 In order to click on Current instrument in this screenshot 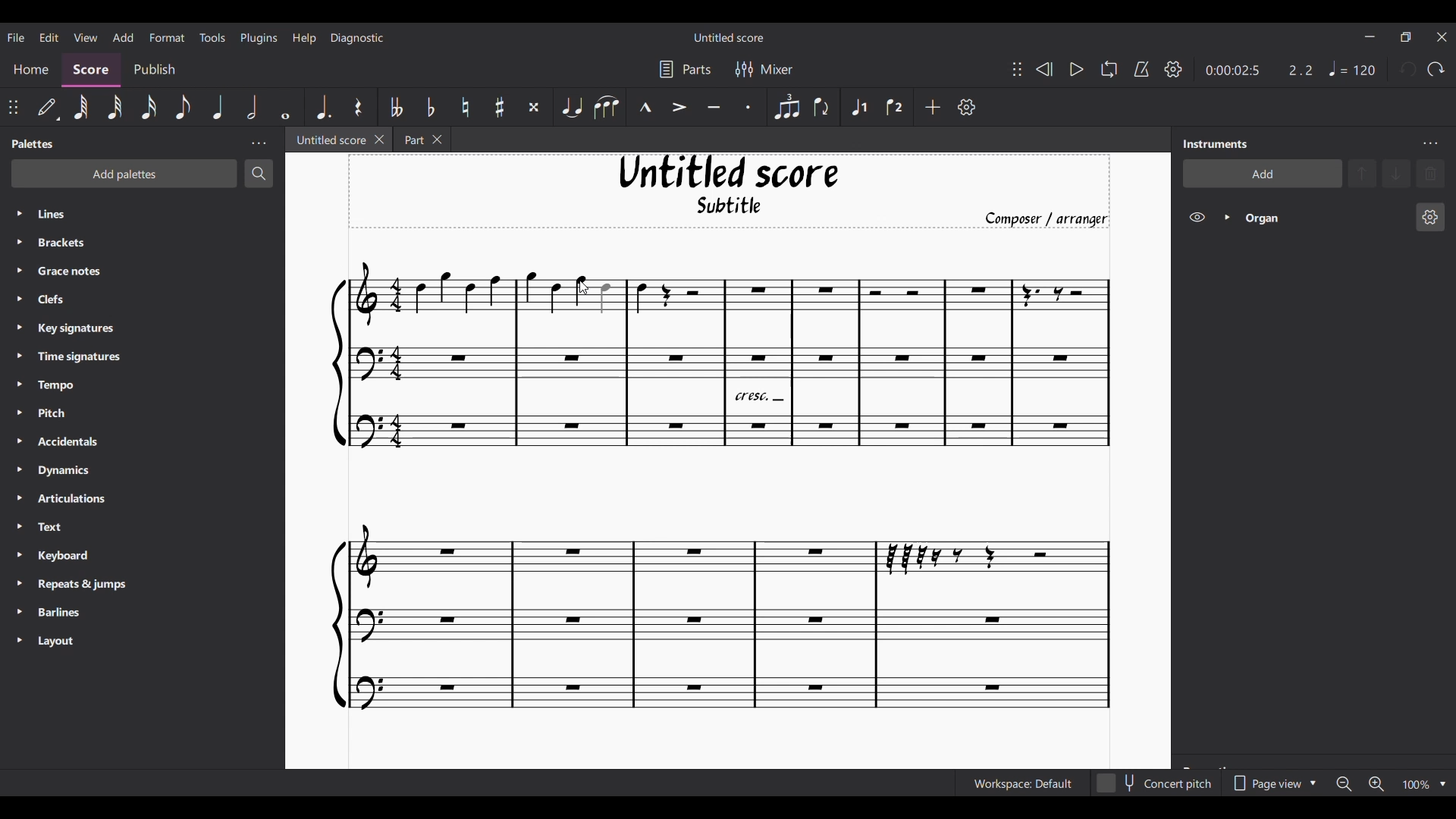, I will do `click(1325, 218)`.